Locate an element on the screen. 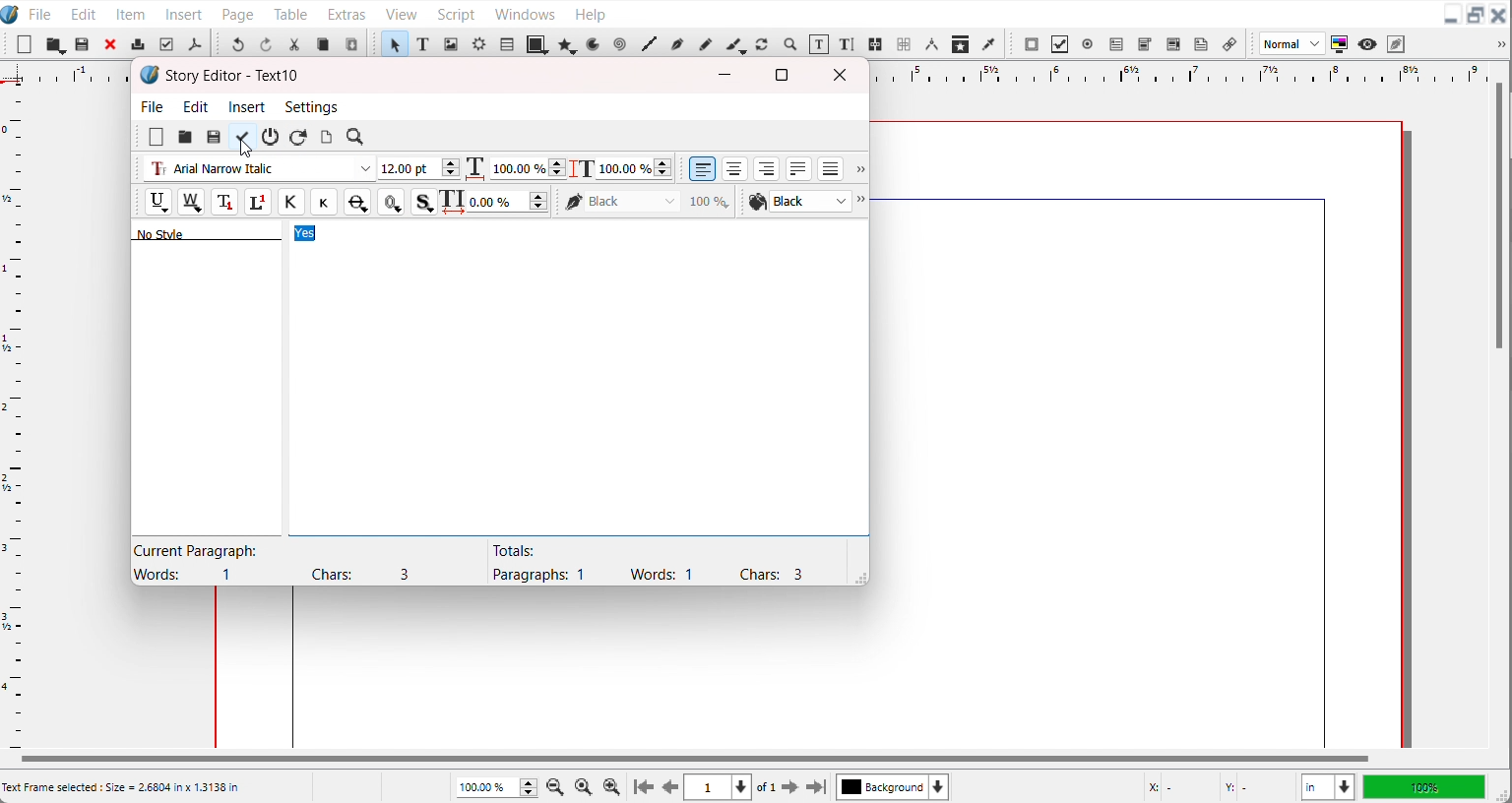 This screenshot has width=1512, height=803. Copy is located at coordinates (323, 44).